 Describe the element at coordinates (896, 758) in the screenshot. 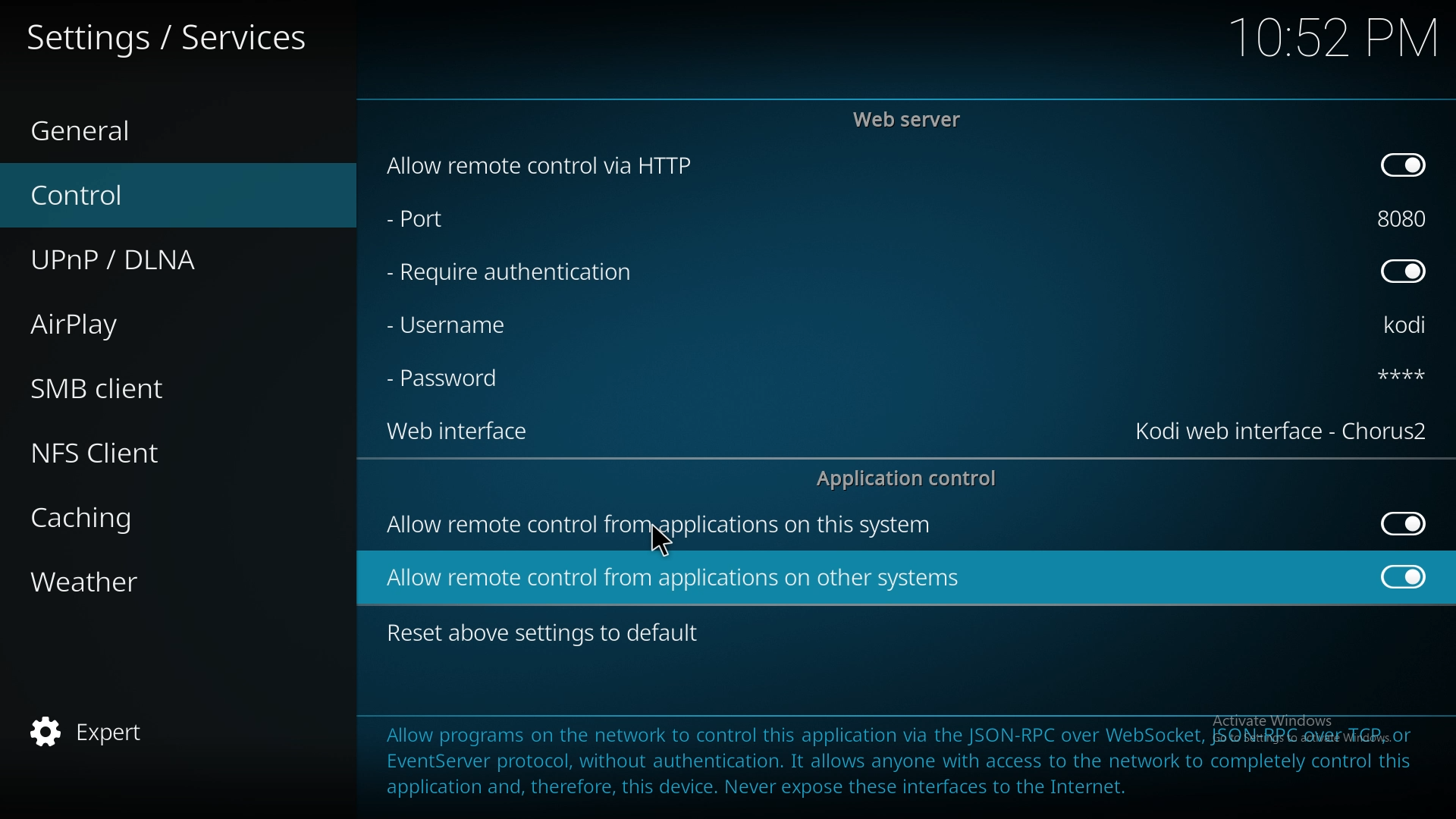

I see `info` at that location.